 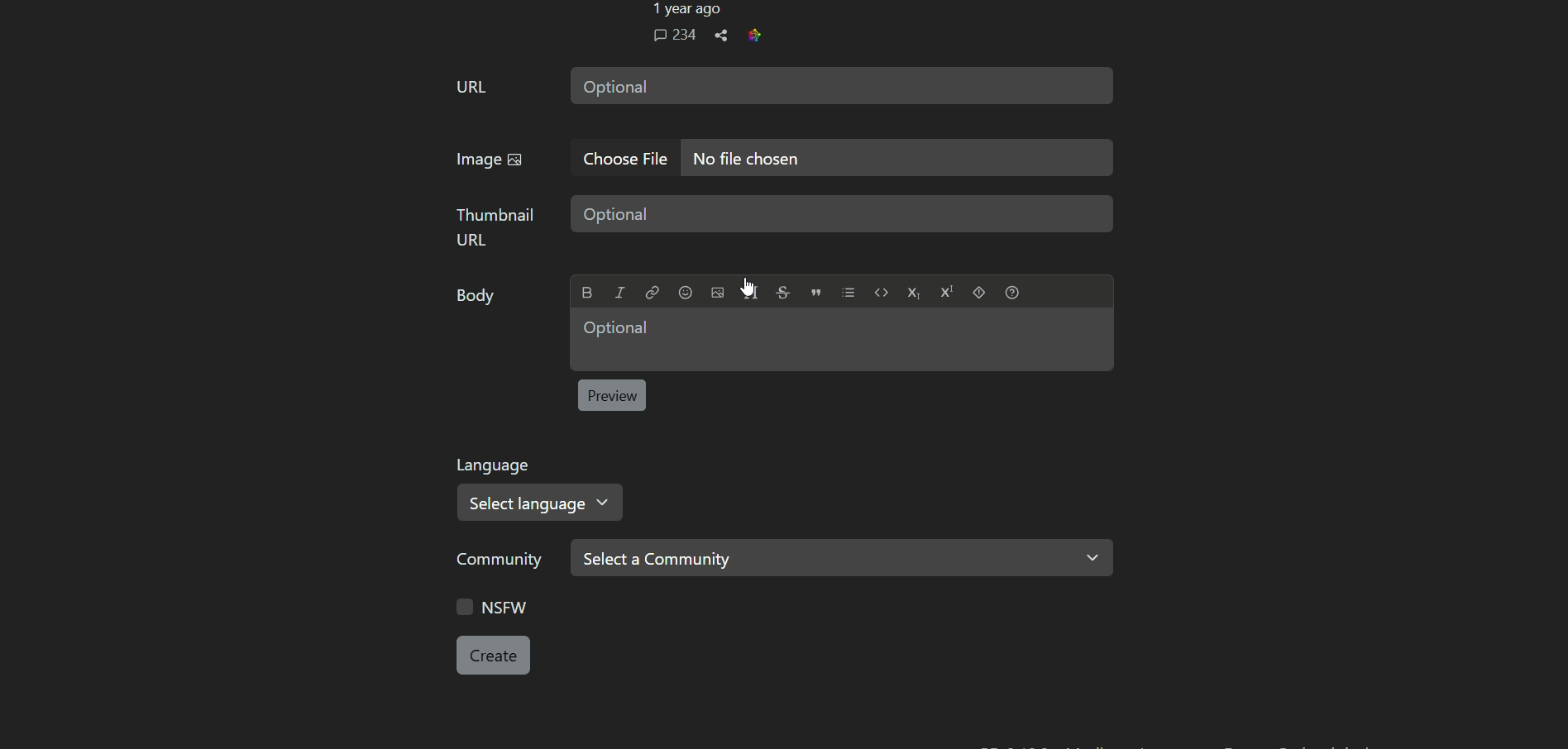 I want to click on community, so click(x=503, y=560).